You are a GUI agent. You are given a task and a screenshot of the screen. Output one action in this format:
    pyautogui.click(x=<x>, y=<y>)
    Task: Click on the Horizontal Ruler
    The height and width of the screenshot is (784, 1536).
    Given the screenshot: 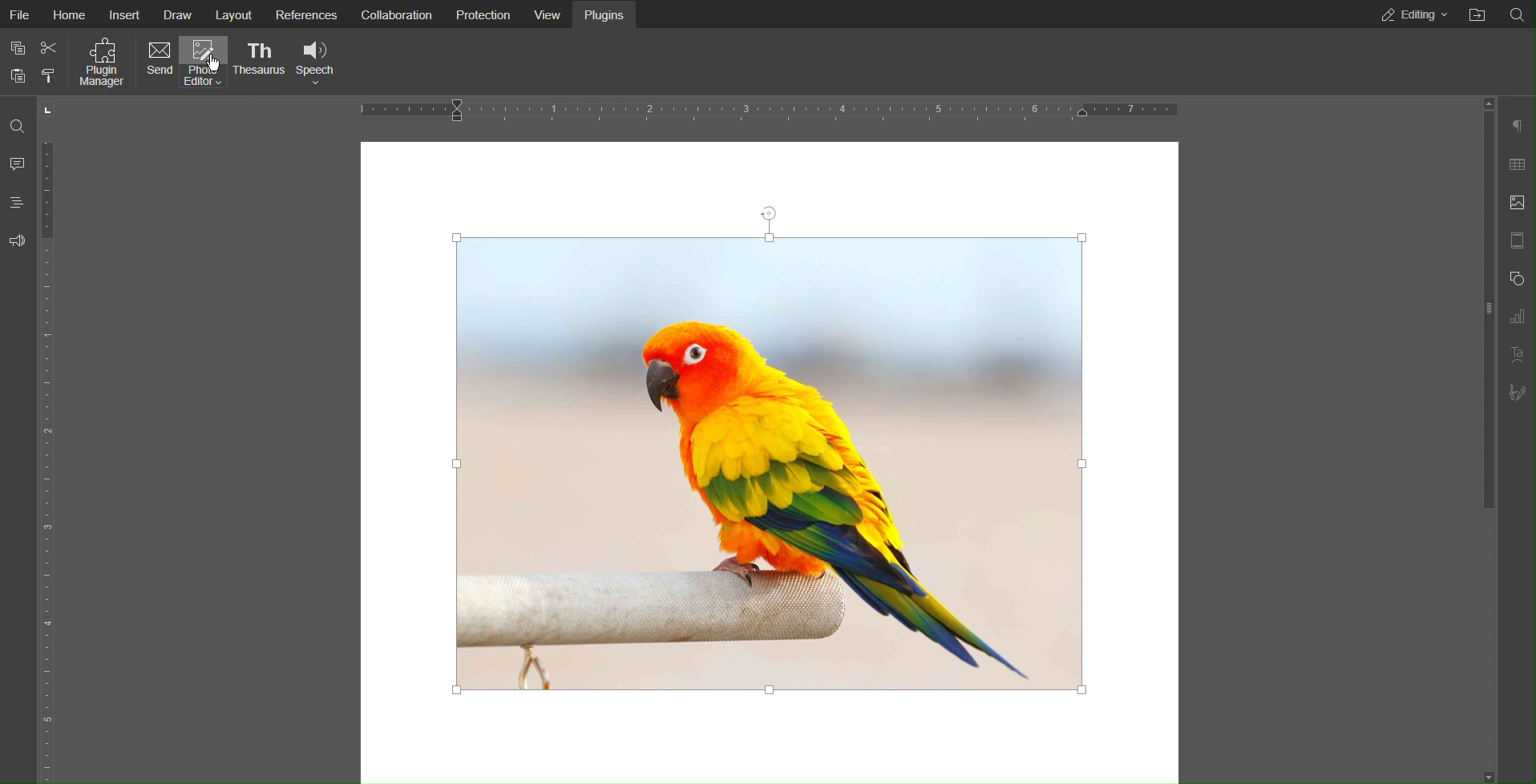 What is the action you would take?
    pyautogui.click(x=761, y=111)
    